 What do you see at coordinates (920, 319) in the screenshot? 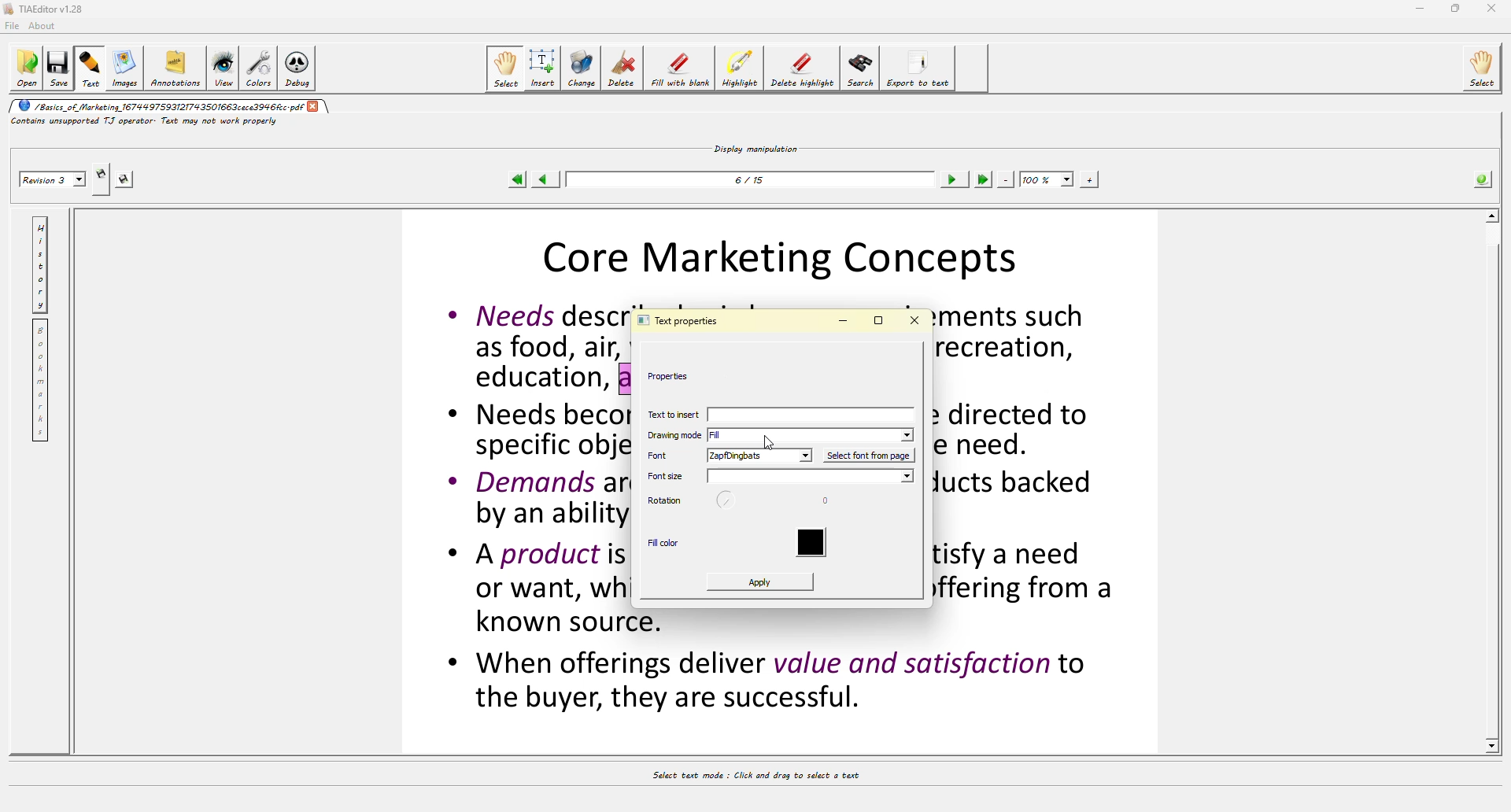
I see `close` at bounding box center [920, 319].